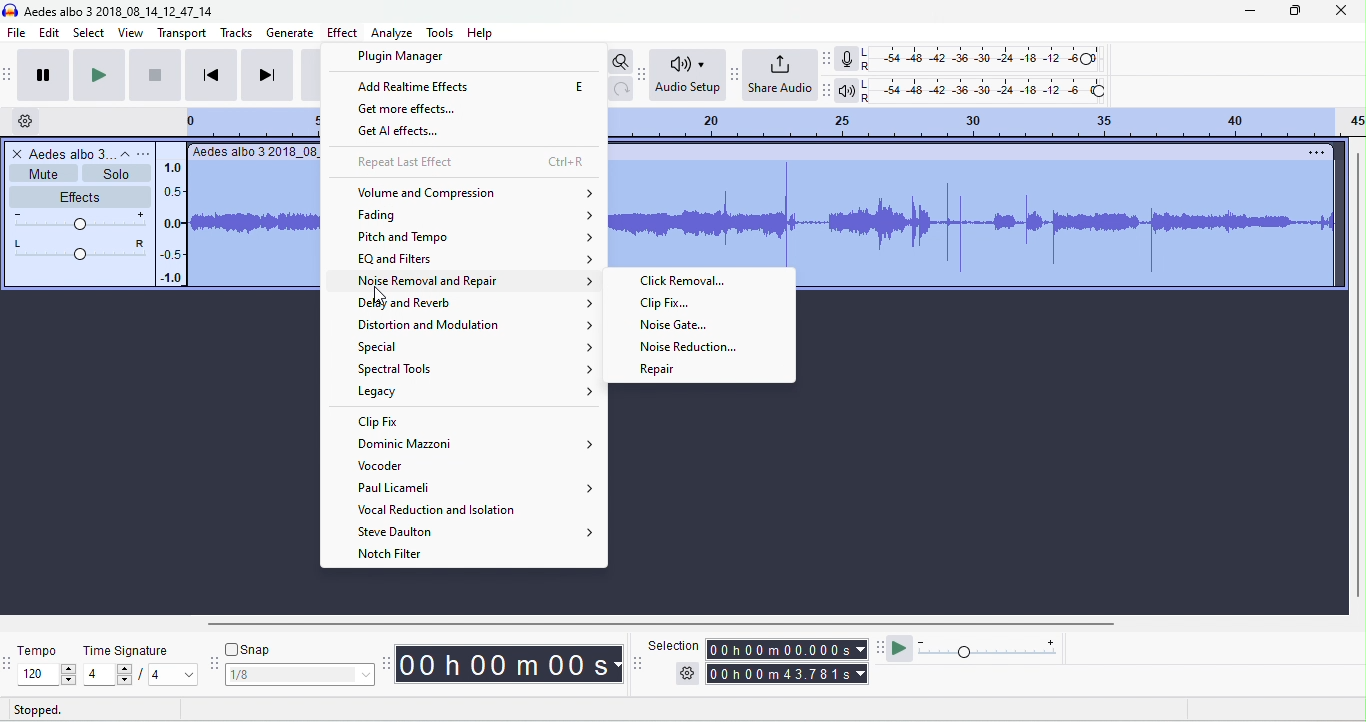 The image size is (1366, 722). Describe the element at coordinates (175, 221) in the screenshot. I see `amplitude` at that location.